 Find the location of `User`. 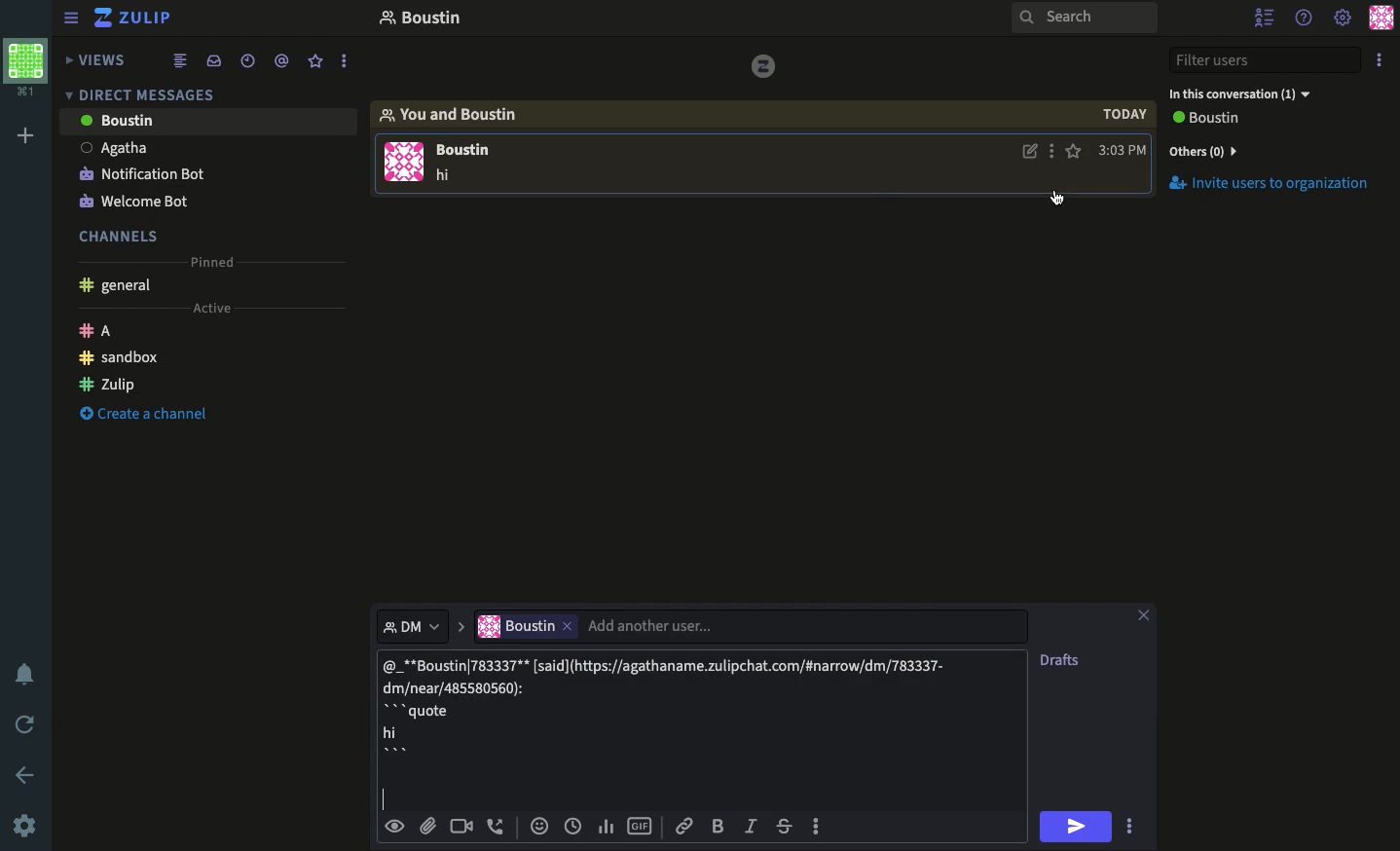

User is located at coordinates (208, 120).